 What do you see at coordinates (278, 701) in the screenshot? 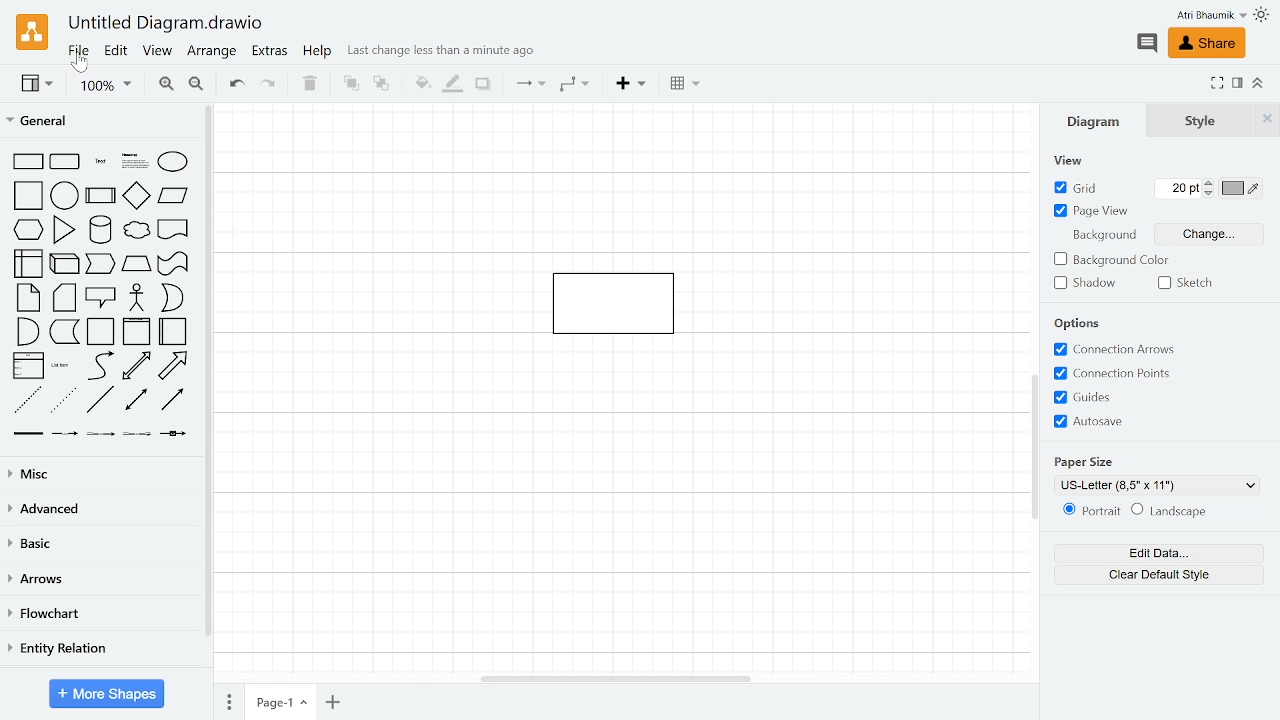
I see `Current page` at bounding box center [278, 701].